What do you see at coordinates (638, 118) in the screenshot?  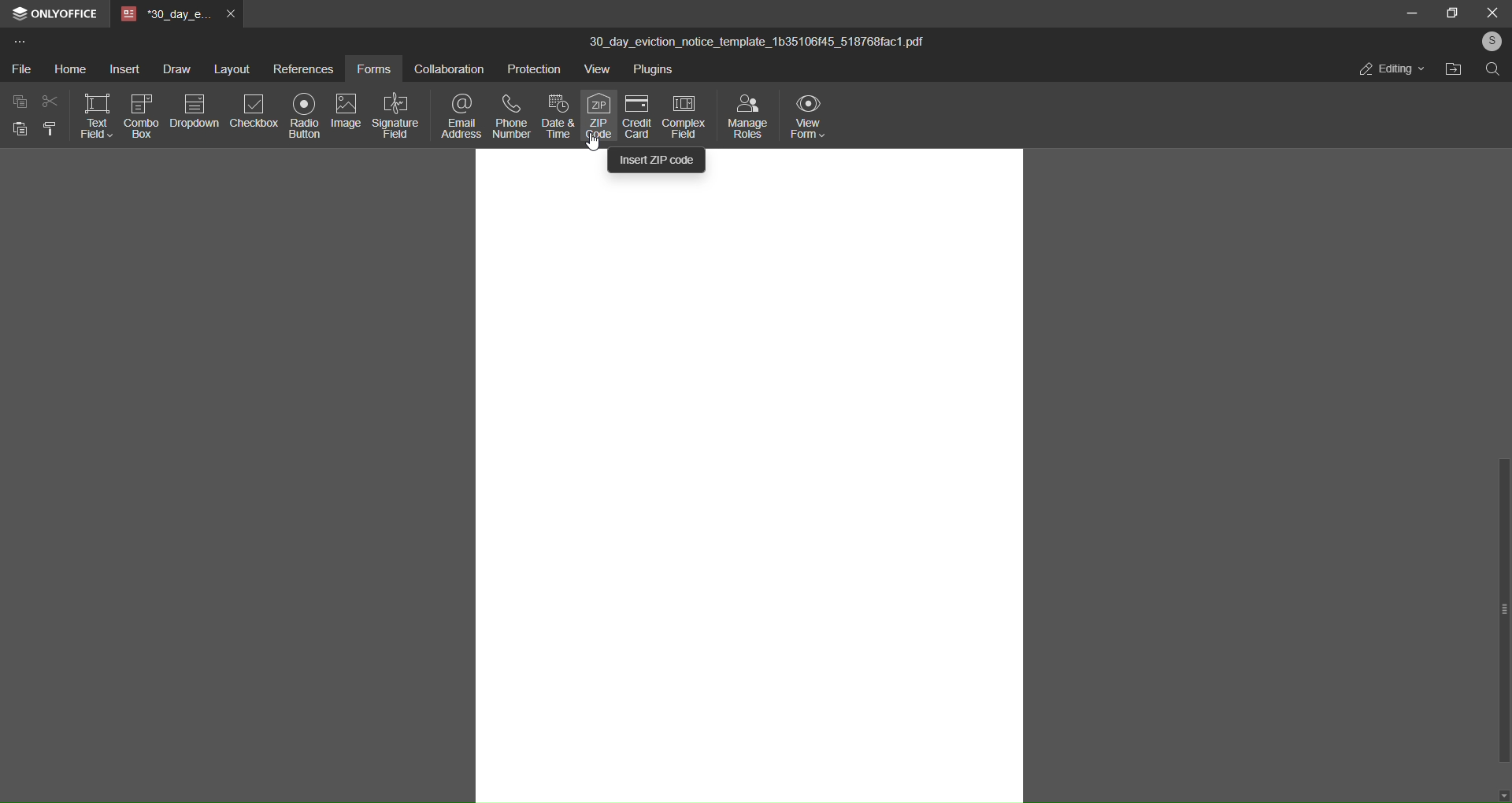 I see `credit card` at bounding box center [638, 118].